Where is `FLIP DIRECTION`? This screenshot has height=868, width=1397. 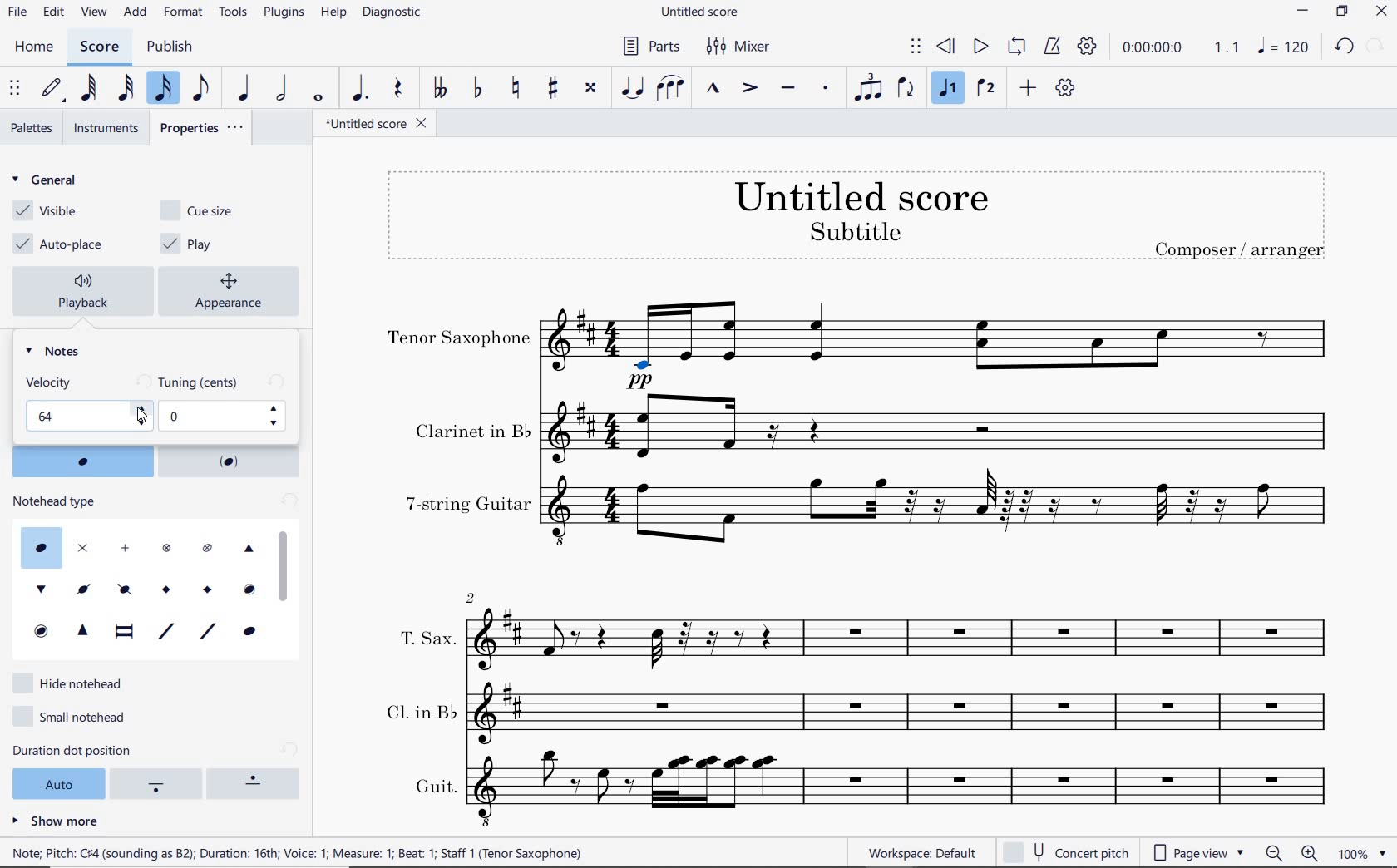
FLIP DIRECTION is located at coordinates (910, 88).